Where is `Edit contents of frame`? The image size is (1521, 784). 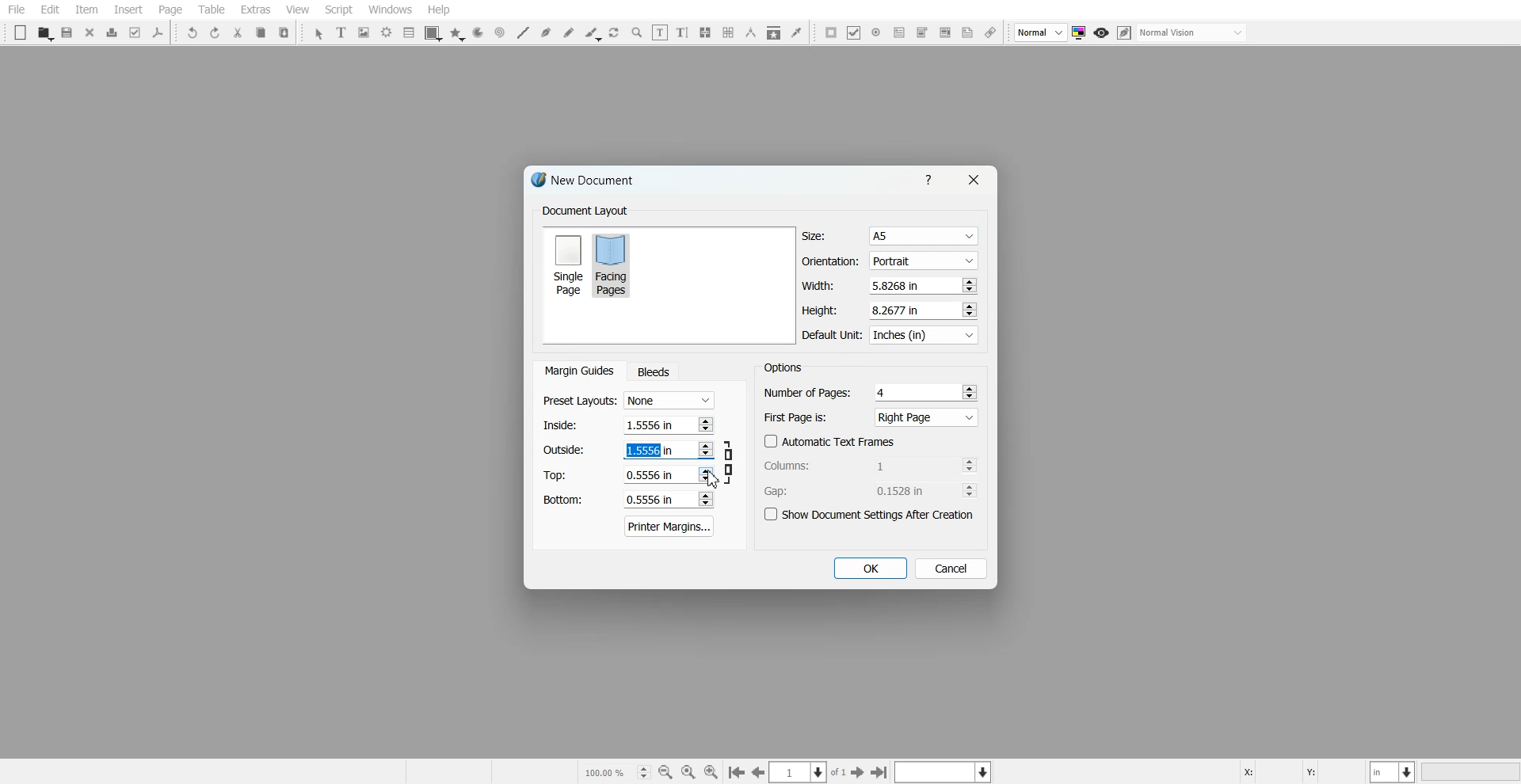
Edit contents of frame is located at coordinates (660, 32).